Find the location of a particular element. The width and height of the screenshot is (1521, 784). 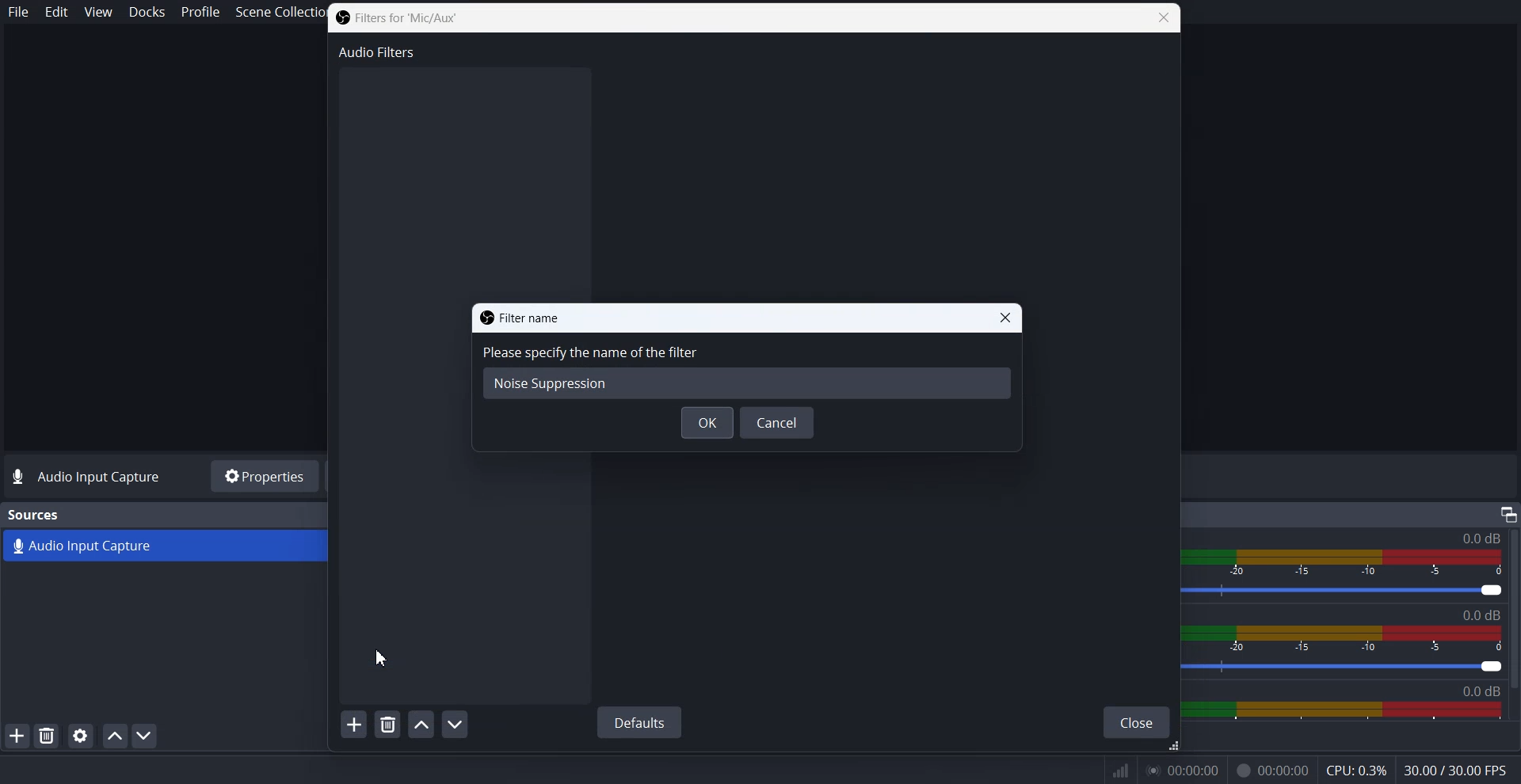

View is located at coordinates (97, 11).